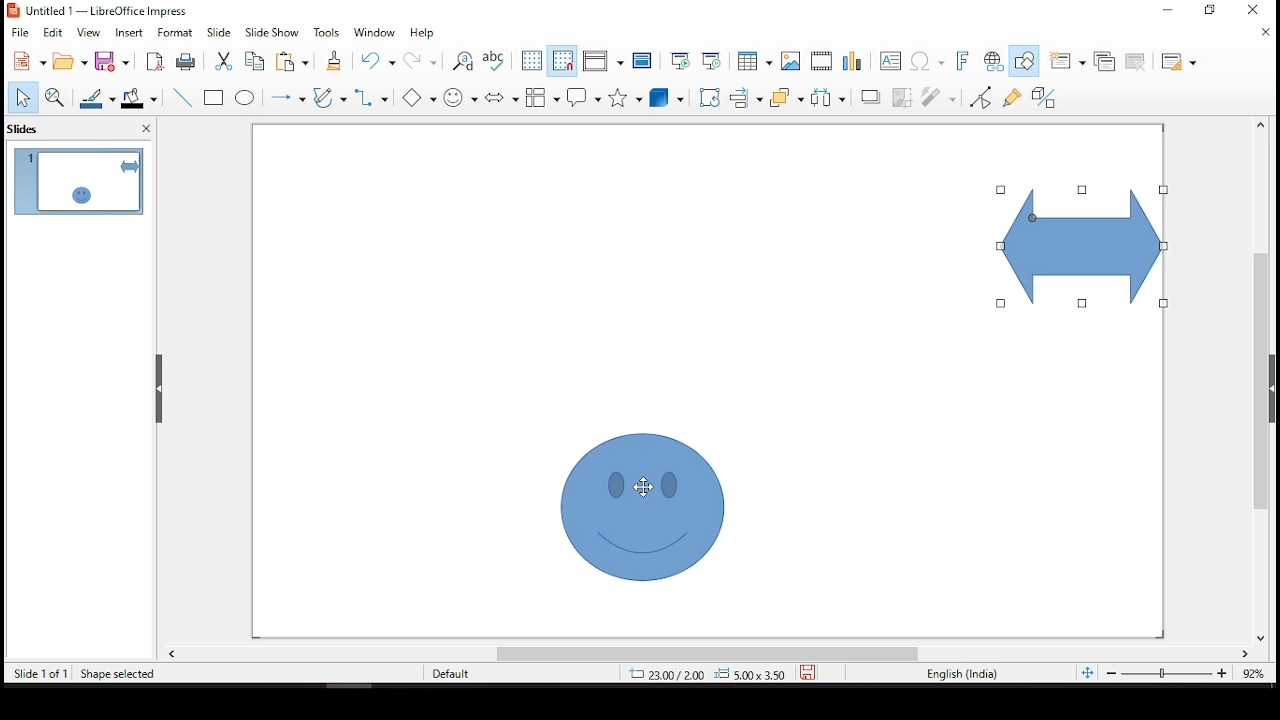  I want to click on callout shapes, so click(585, 99).